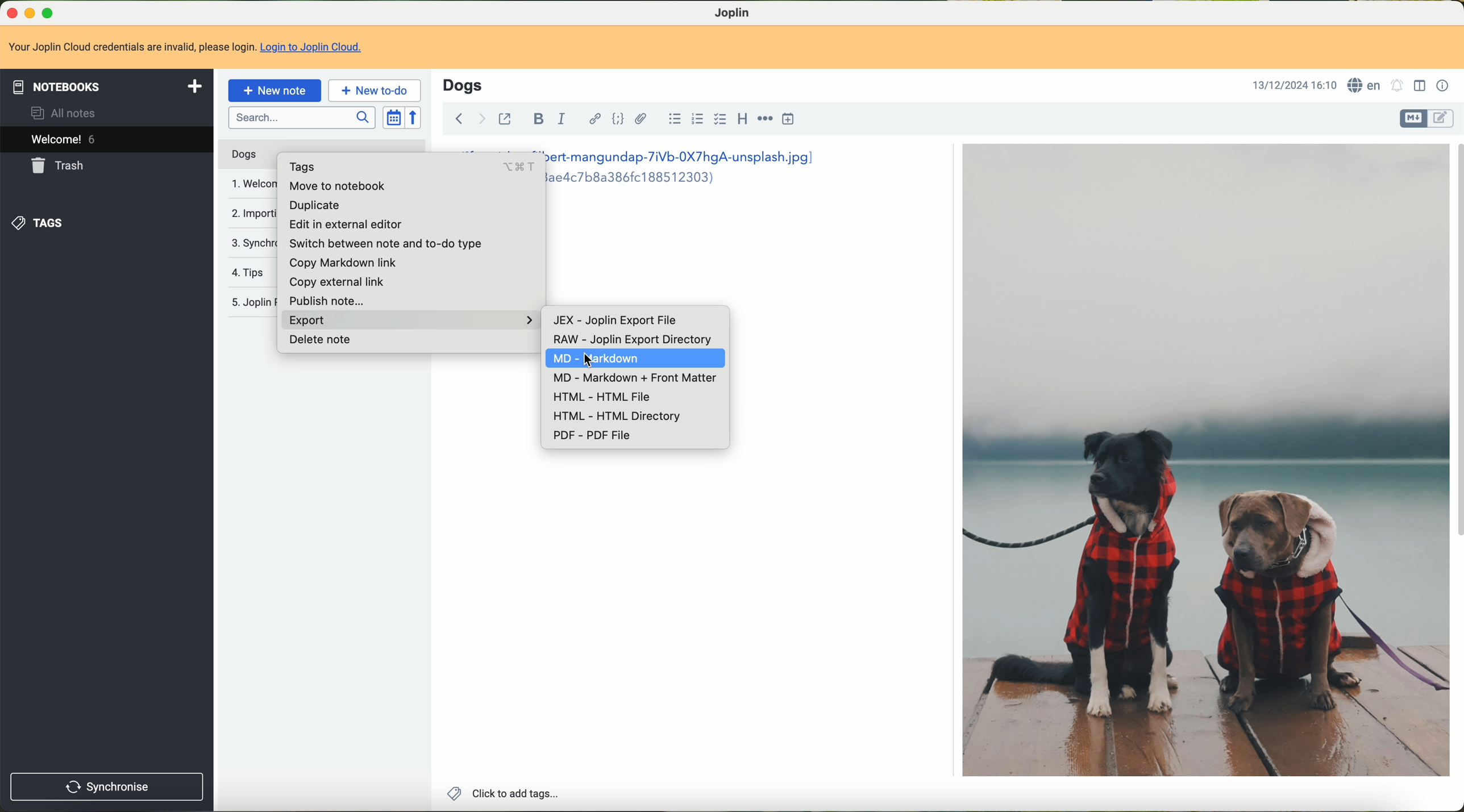 The image size is (1464, 812). I want to click on bulleted list, so click(672, 121).